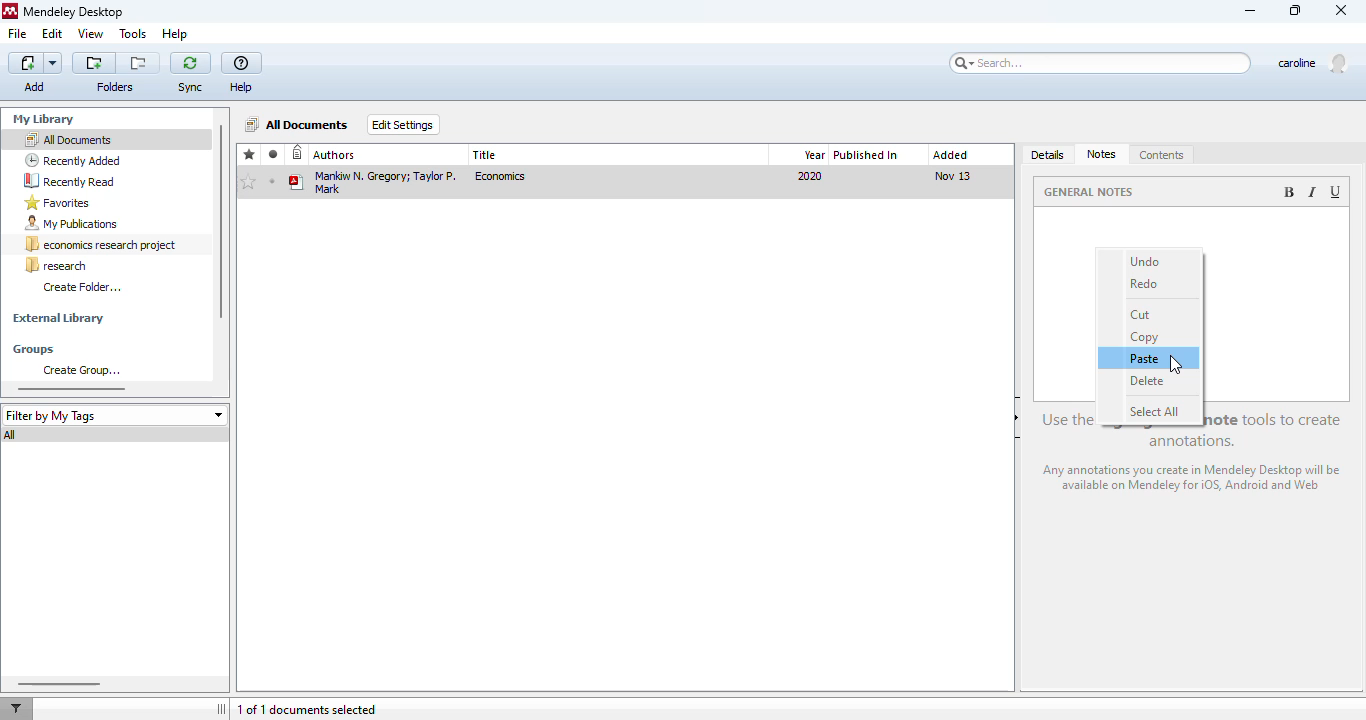  What do you see at coordinates (36, 63) in the screenshot?
I see `add` at bounding box center [36, 63].